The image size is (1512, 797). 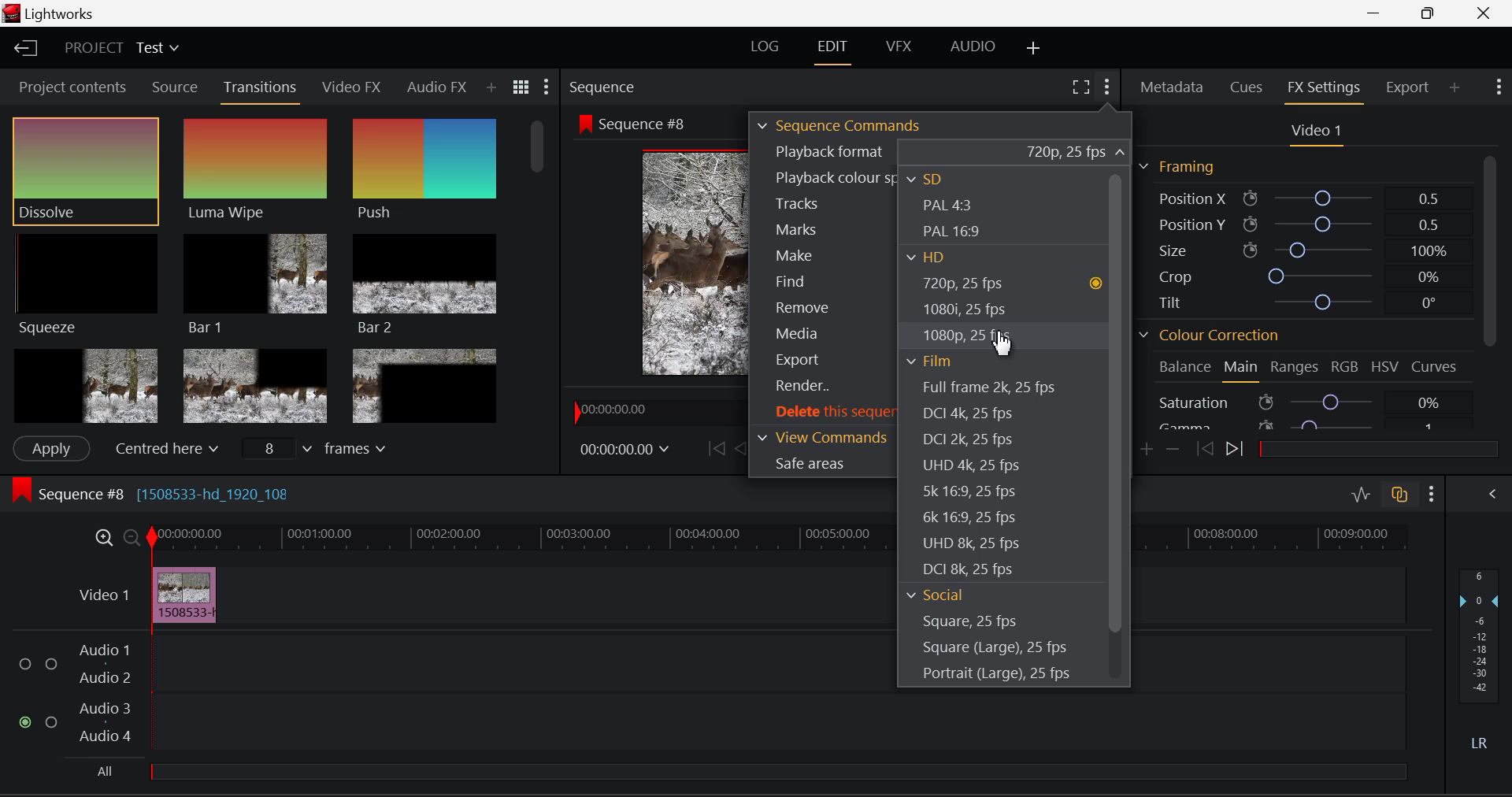 What do you see at coordinates (1301, 427) in the screenshot?
I see `Gamma` at bounding box center [1301, 427].